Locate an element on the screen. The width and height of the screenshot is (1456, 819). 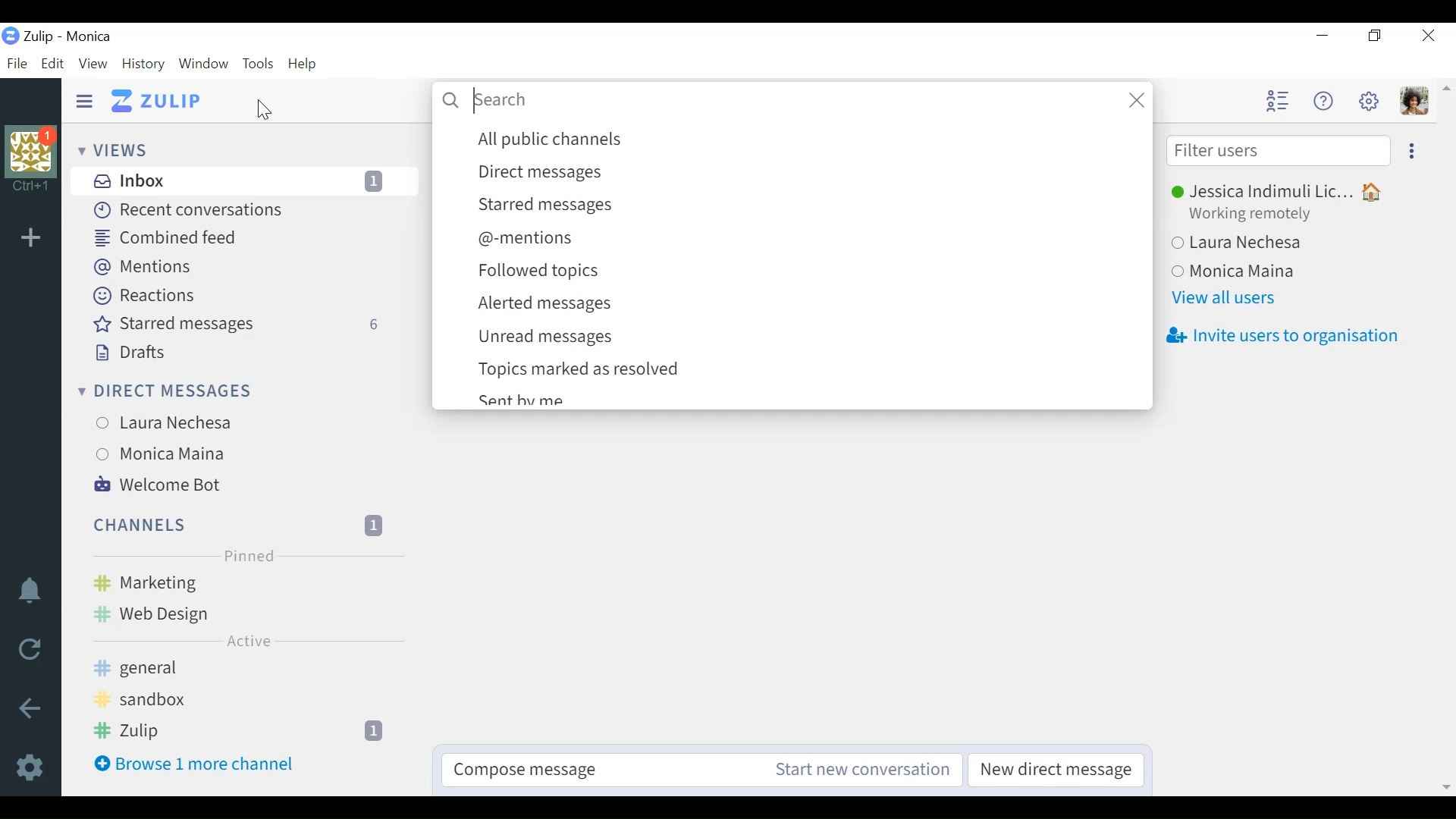
minimize is located at coordinates (1321, 34).